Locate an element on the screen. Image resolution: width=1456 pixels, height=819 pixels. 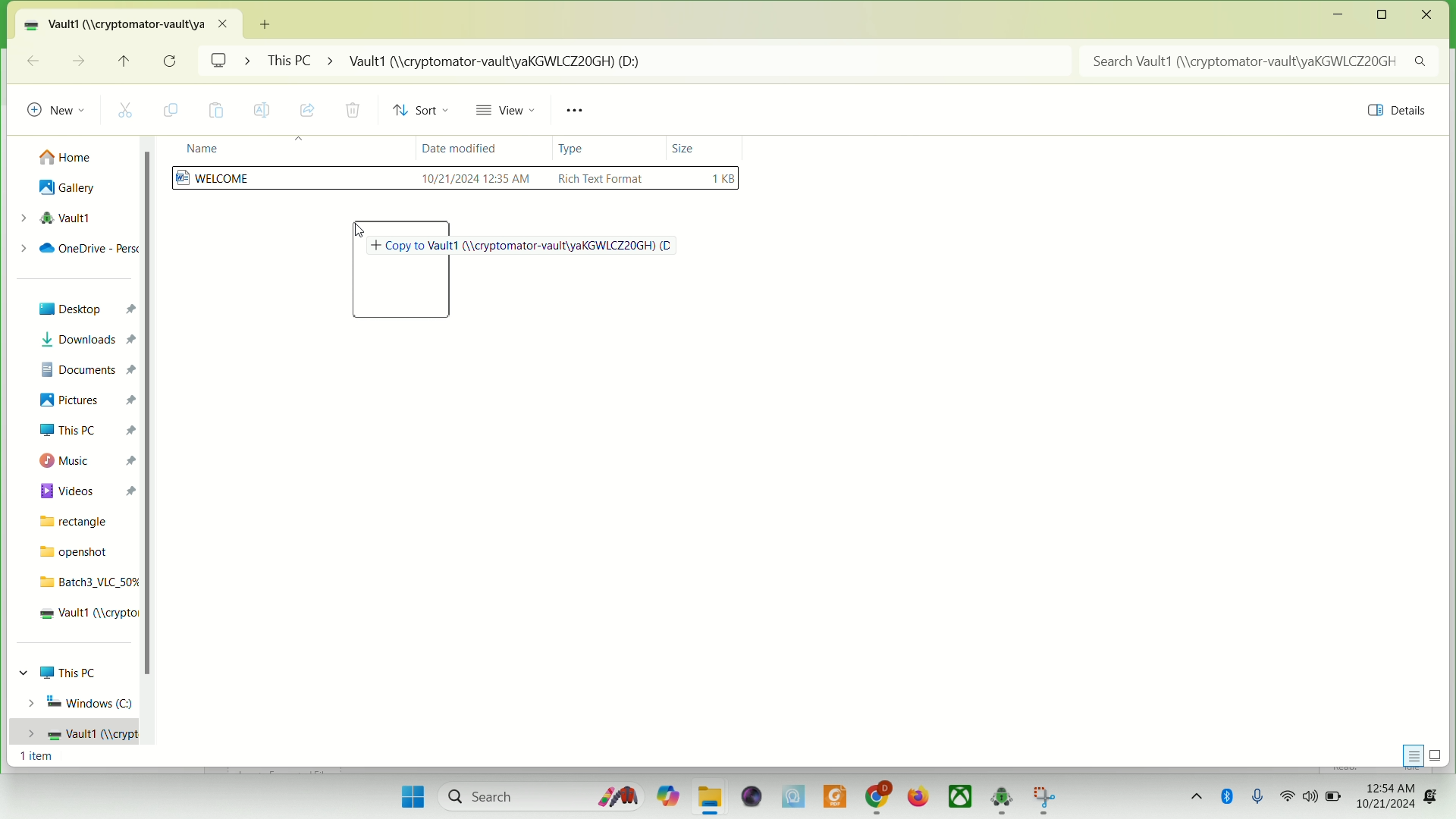
vertical scroll bar is located at coordinates (148, 451).